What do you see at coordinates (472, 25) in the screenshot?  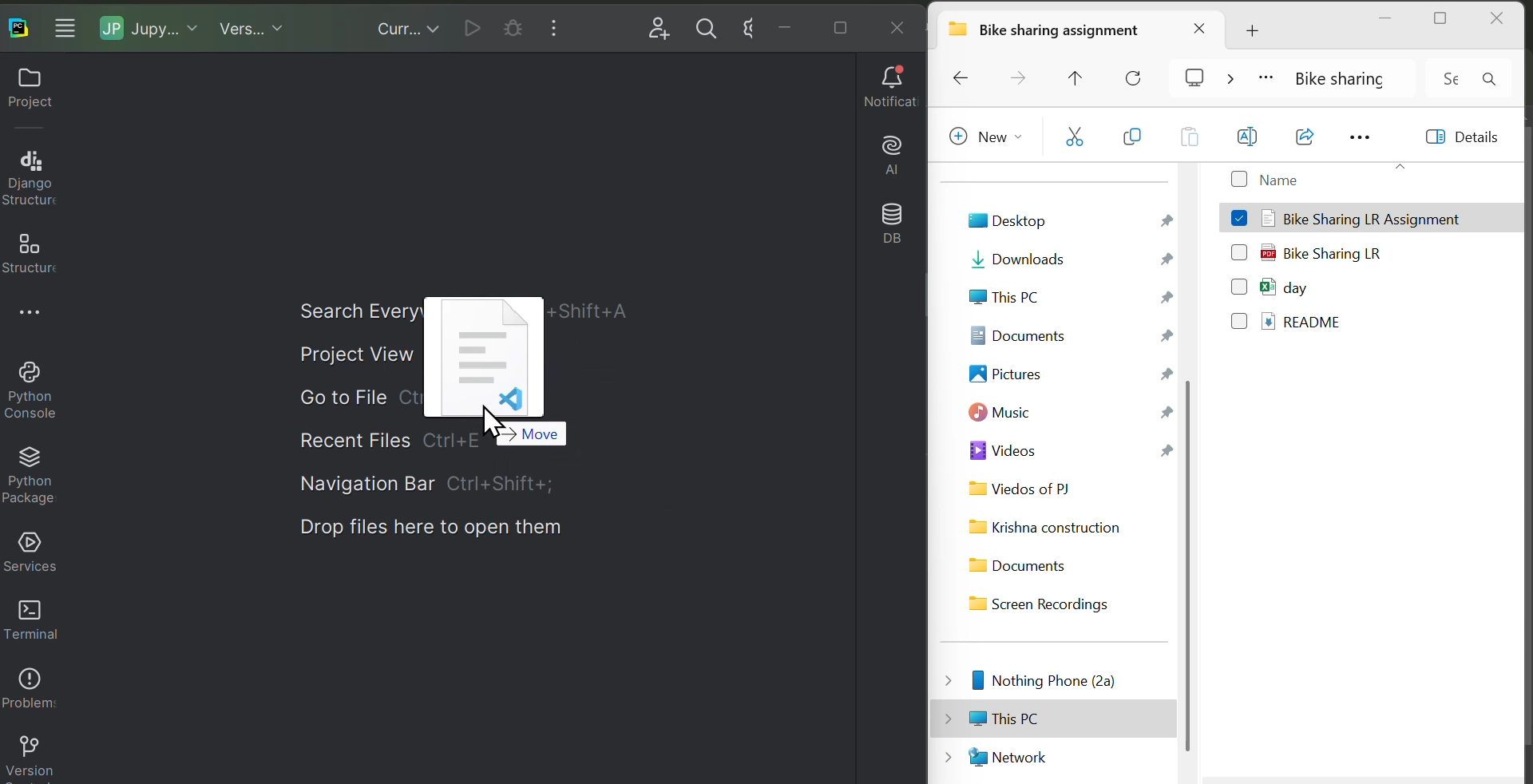 I see `Run current file` at bounding box center [472, 25].